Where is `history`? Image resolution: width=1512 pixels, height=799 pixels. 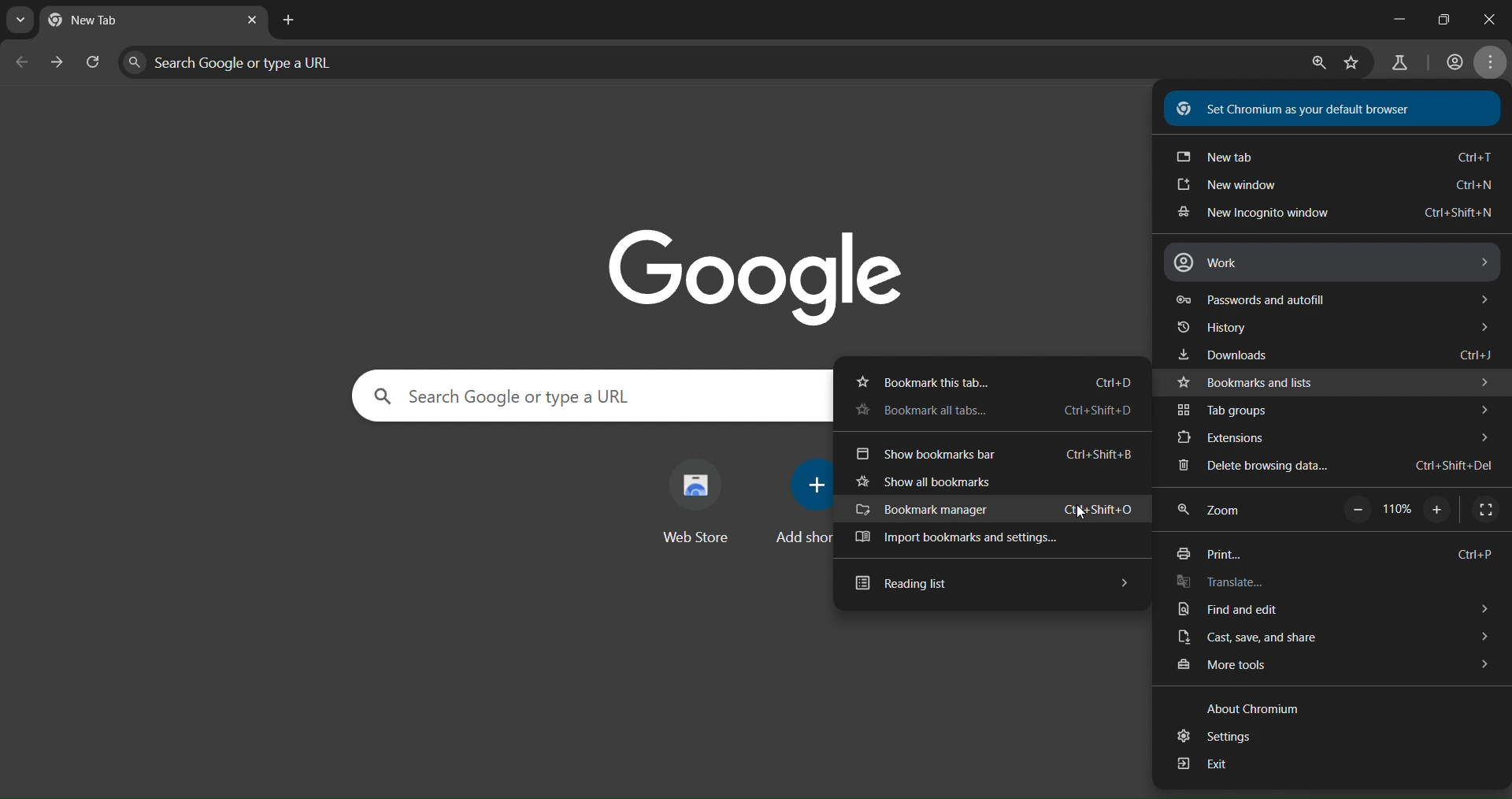
history is located at coordinates (1341, 329).